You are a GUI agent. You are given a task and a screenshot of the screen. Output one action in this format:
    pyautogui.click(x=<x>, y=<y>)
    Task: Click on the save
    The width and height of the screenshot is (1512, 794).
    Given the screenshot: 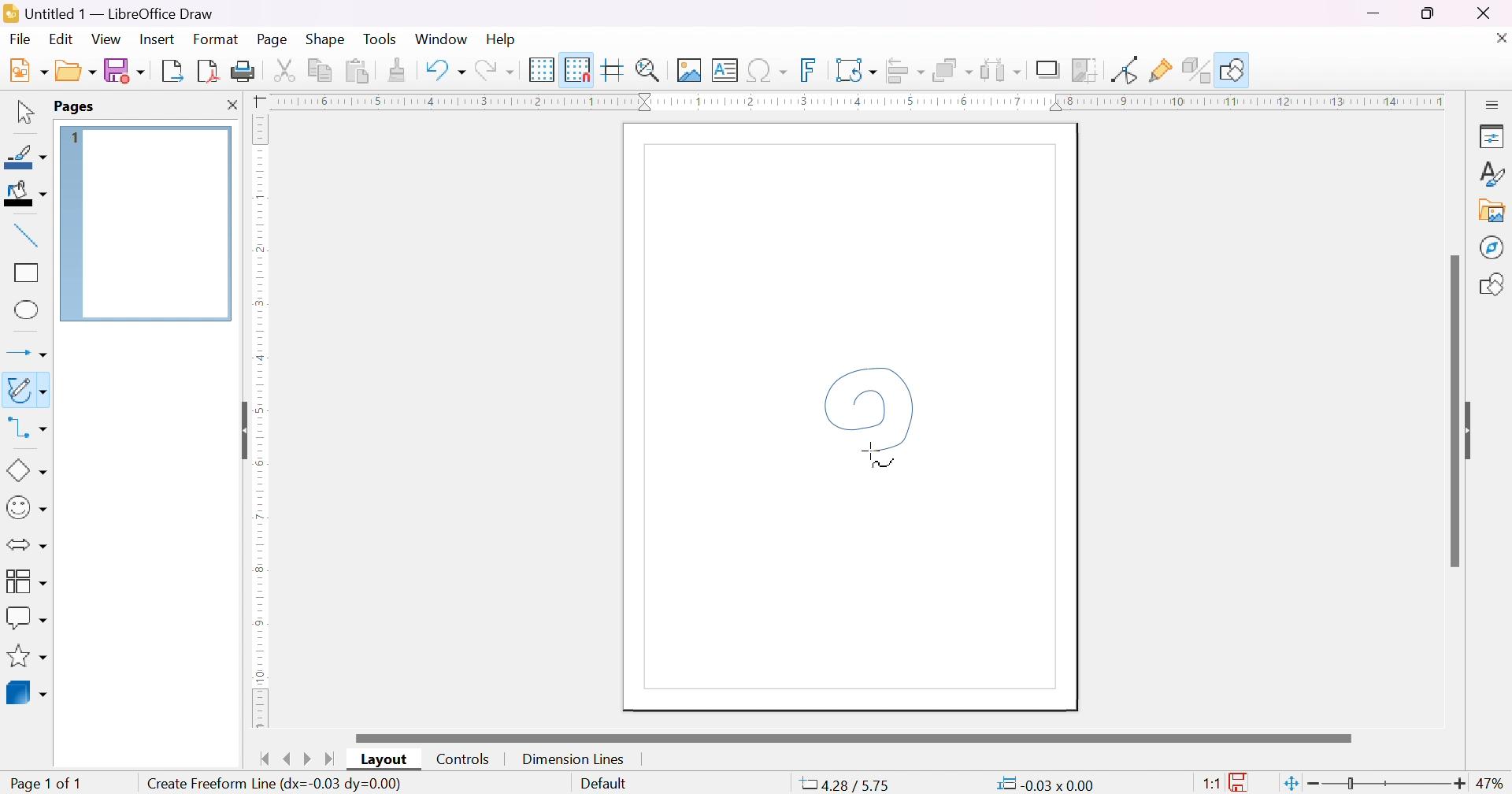 What is the action you would take?
    pyautogui.click(x=126, y=70)
    